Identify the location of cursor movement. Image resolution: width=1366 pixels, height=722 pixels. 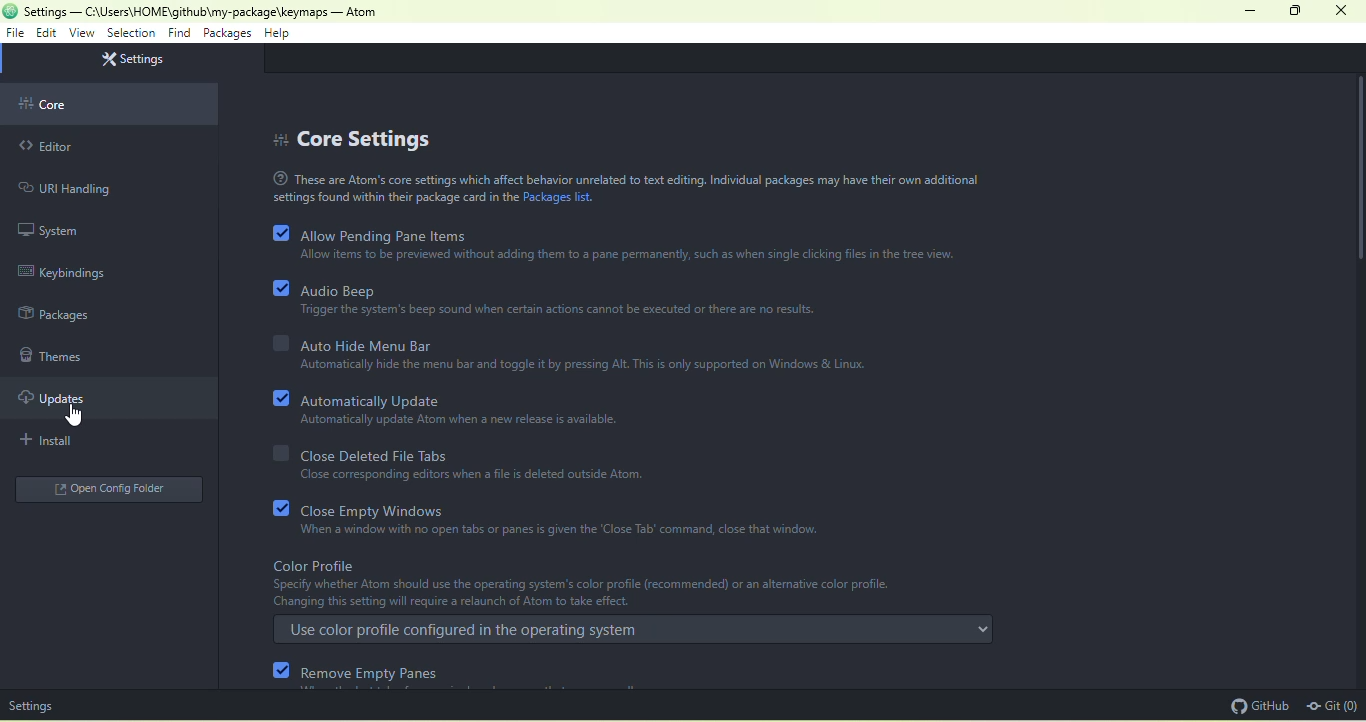
(74, 415).